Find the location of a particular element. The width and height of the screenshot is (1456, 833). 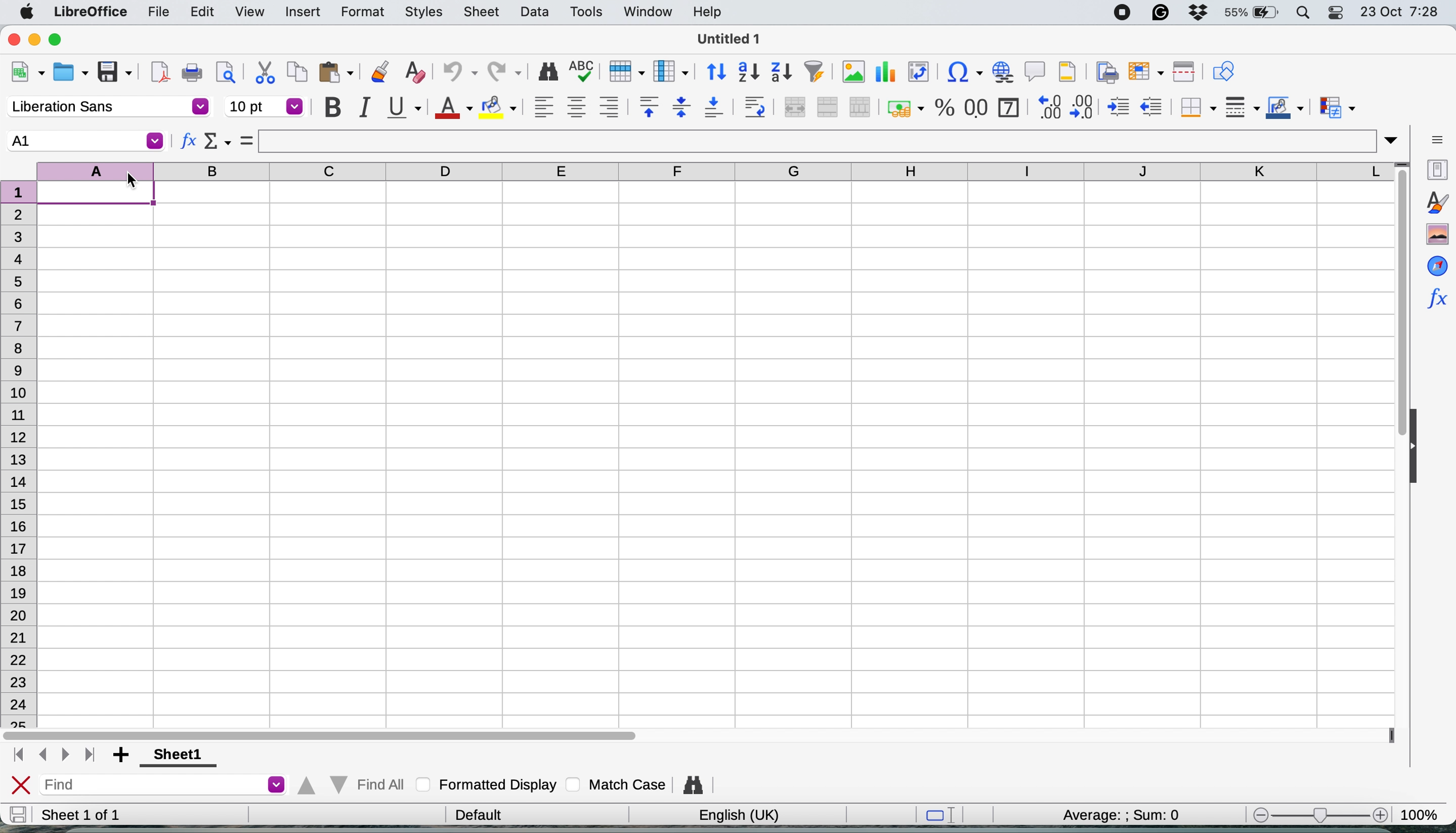

spelling is located at coordinates (582, 71).